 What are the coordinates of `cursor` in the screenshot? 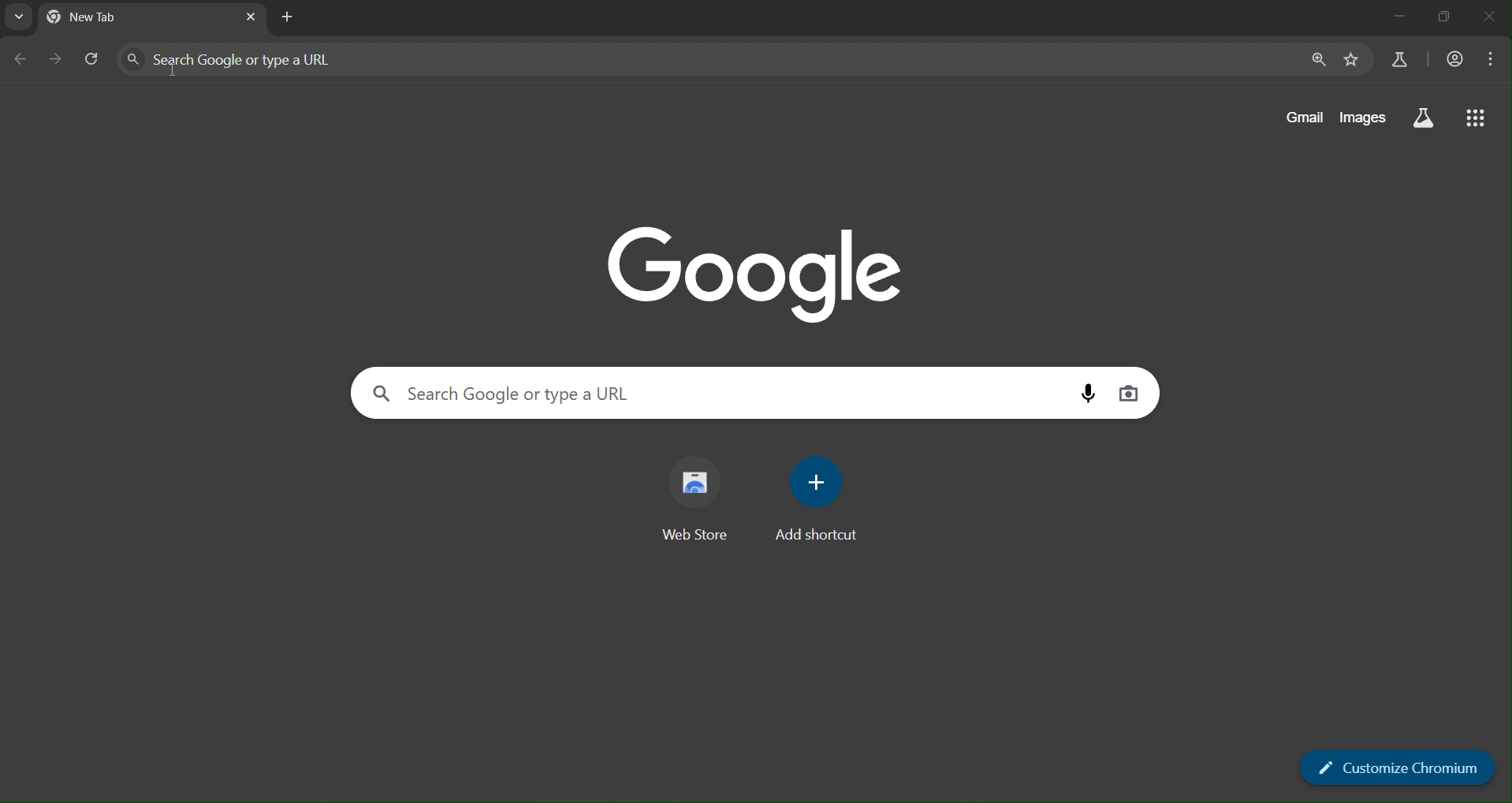 It's located at (173, 70).